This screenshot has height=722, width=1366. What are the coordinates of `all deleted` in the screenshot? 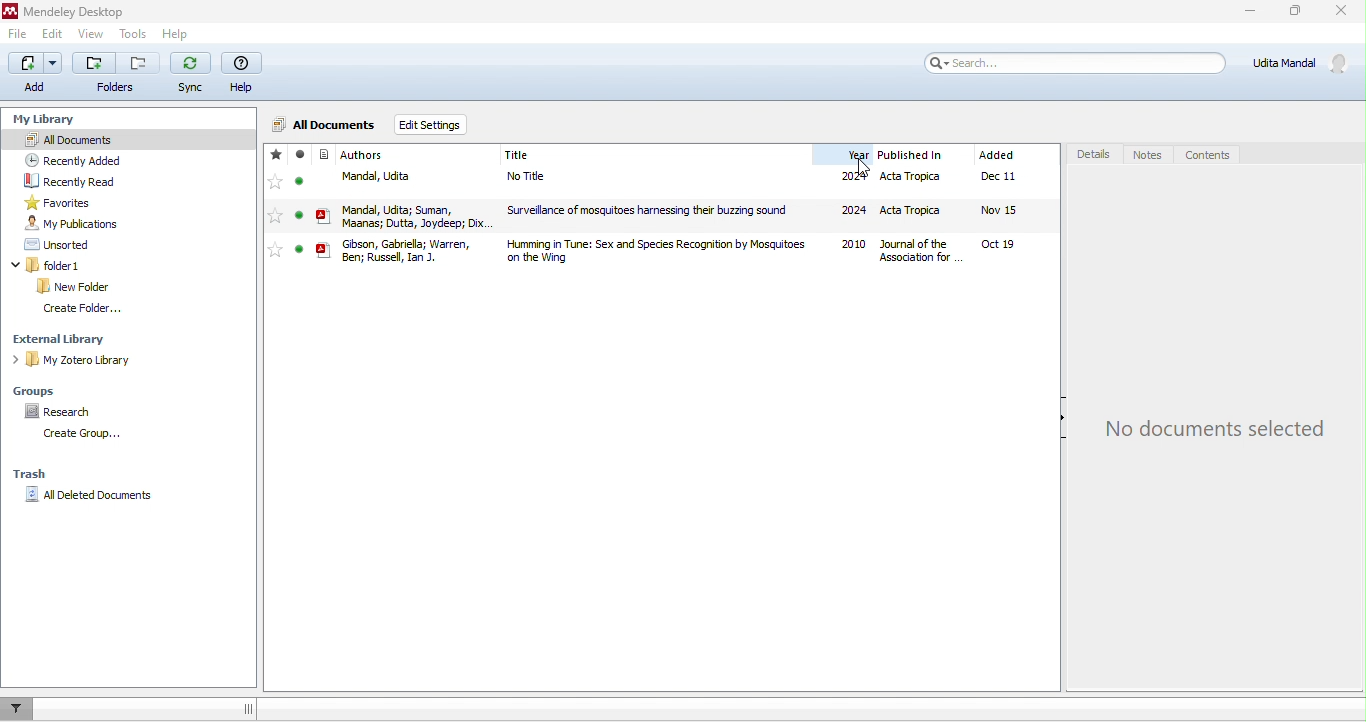 It's located at (88, 494).